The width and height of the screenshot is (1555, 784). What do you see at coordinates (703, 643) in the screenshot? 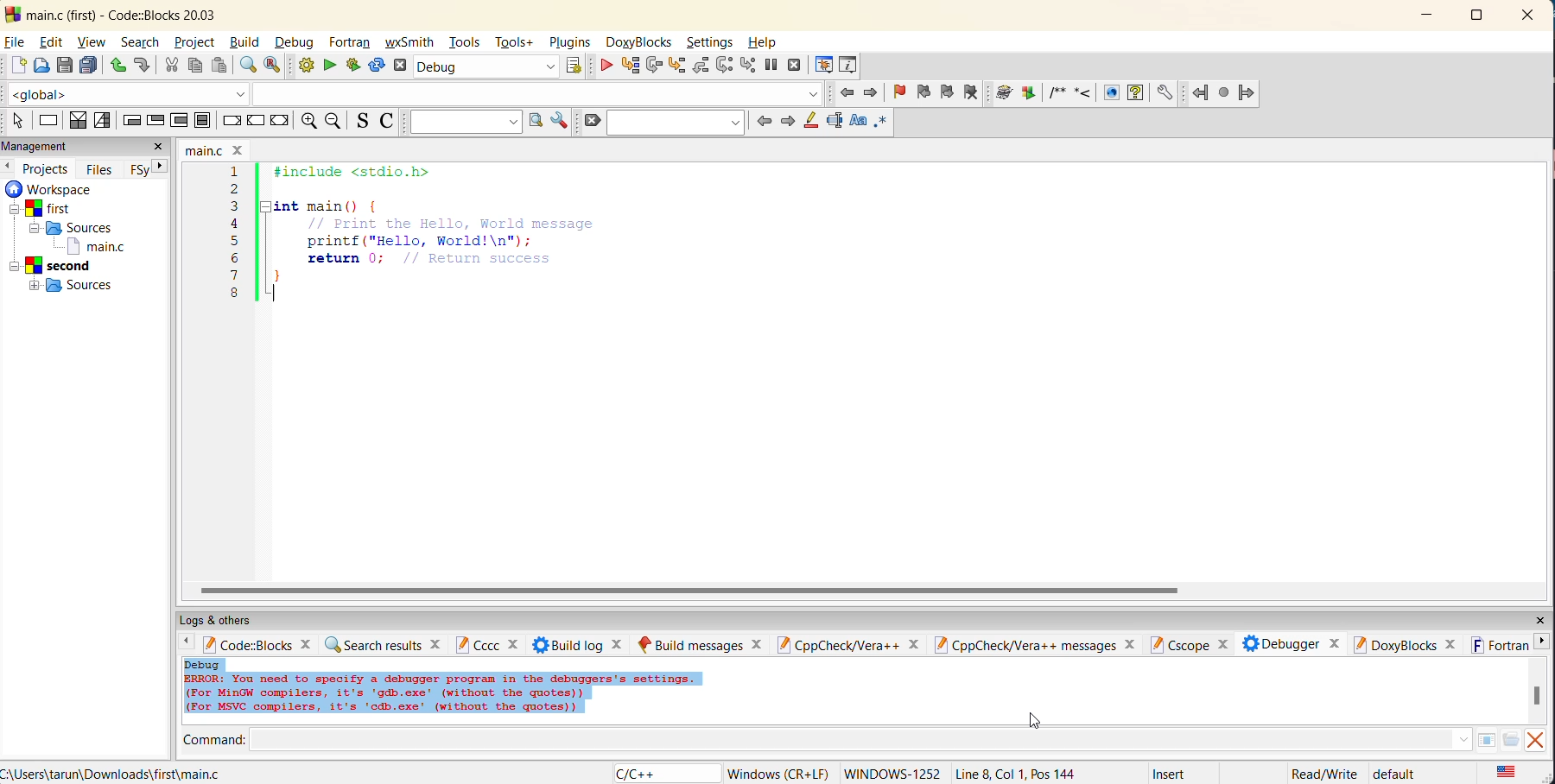
I see `build messages` at bounding box center [703, 643].